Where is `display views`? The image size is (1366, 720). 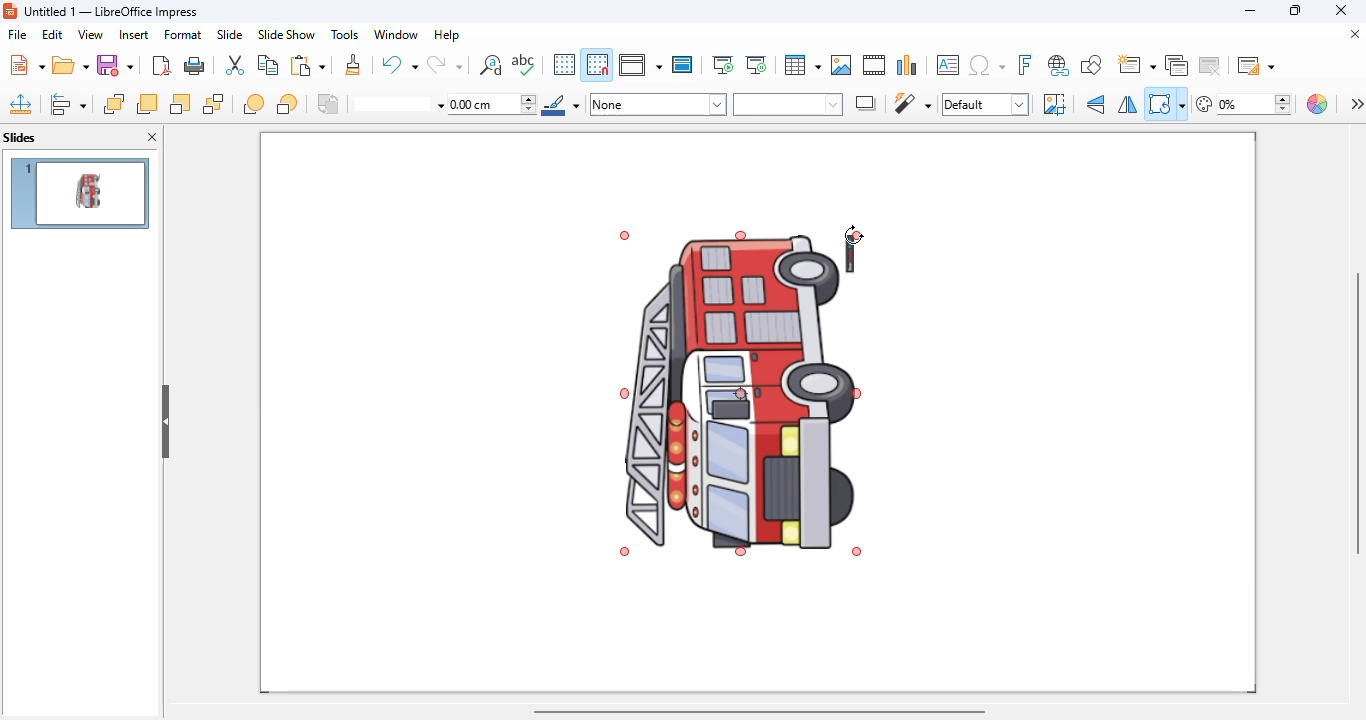
display views is located at coordinates (641, 64).